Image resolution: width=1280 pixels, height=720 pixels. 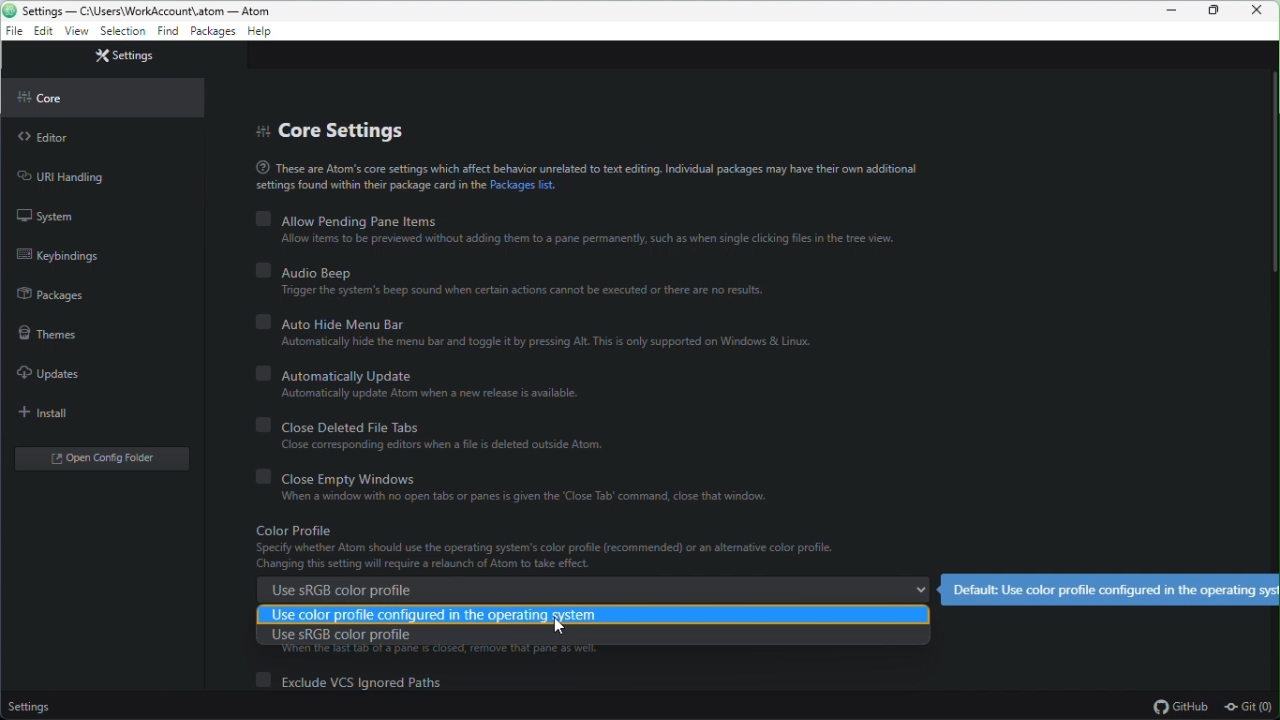 What do you see at coordinates (584, 177) in the screenshot?
I see `Text` at bounding box center [584, 177].